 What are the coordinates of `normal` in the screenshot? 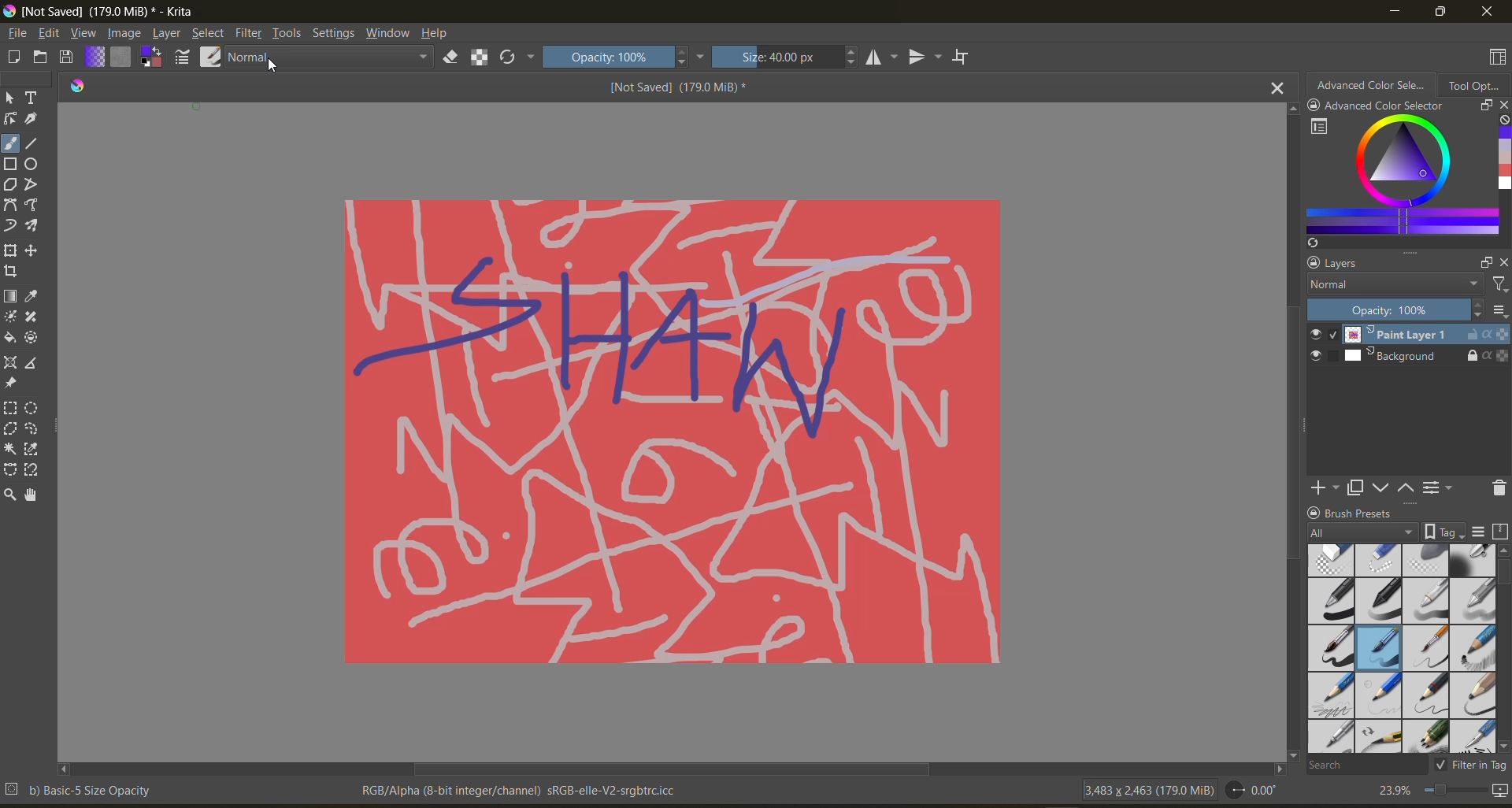 It's located at (1392, 286).